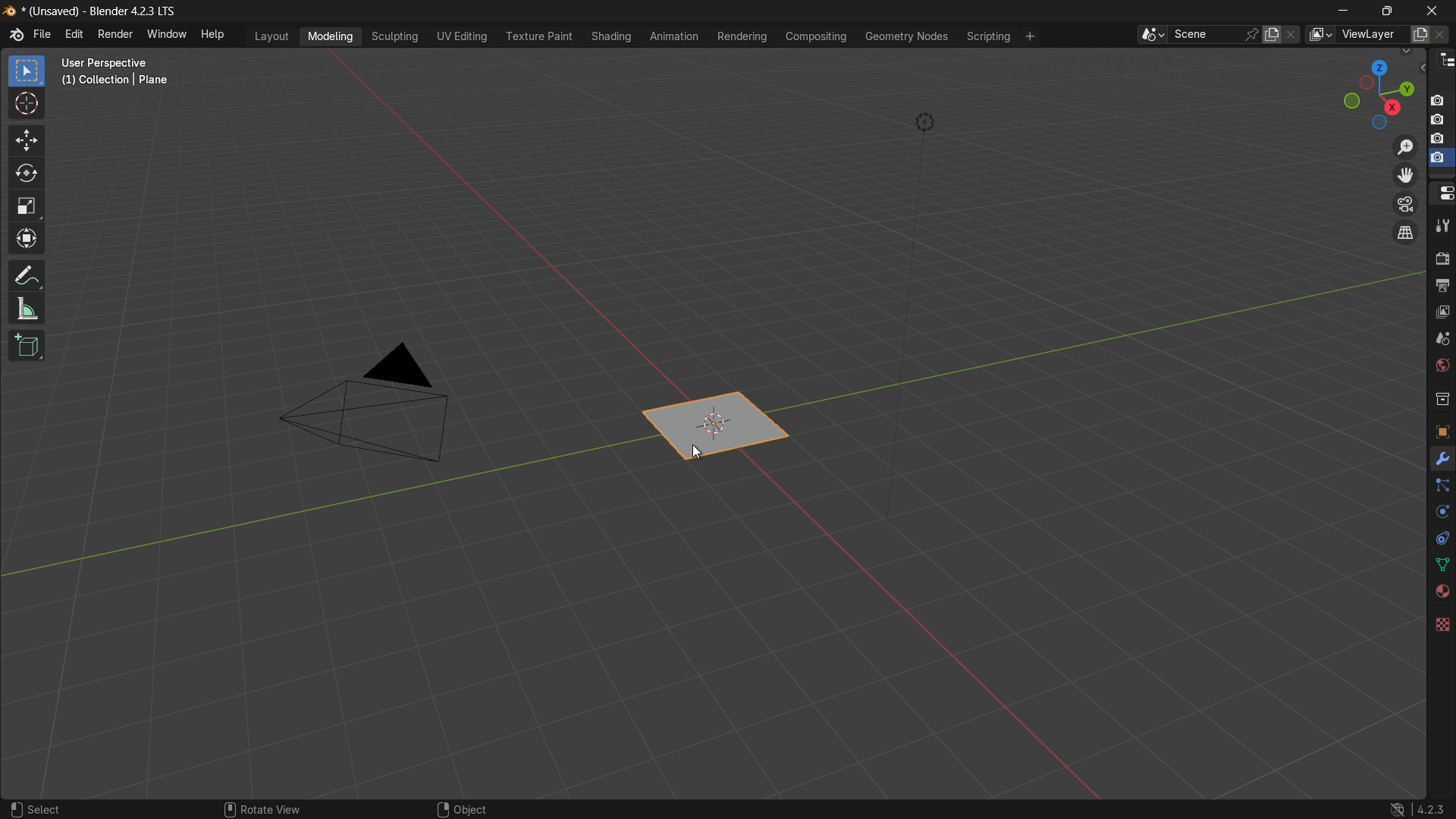 The width and height of the screenshot is (1456, 819). Describe the element at coordinates (1142, 33) in the screenshot. I see `browse scenes` at that location.